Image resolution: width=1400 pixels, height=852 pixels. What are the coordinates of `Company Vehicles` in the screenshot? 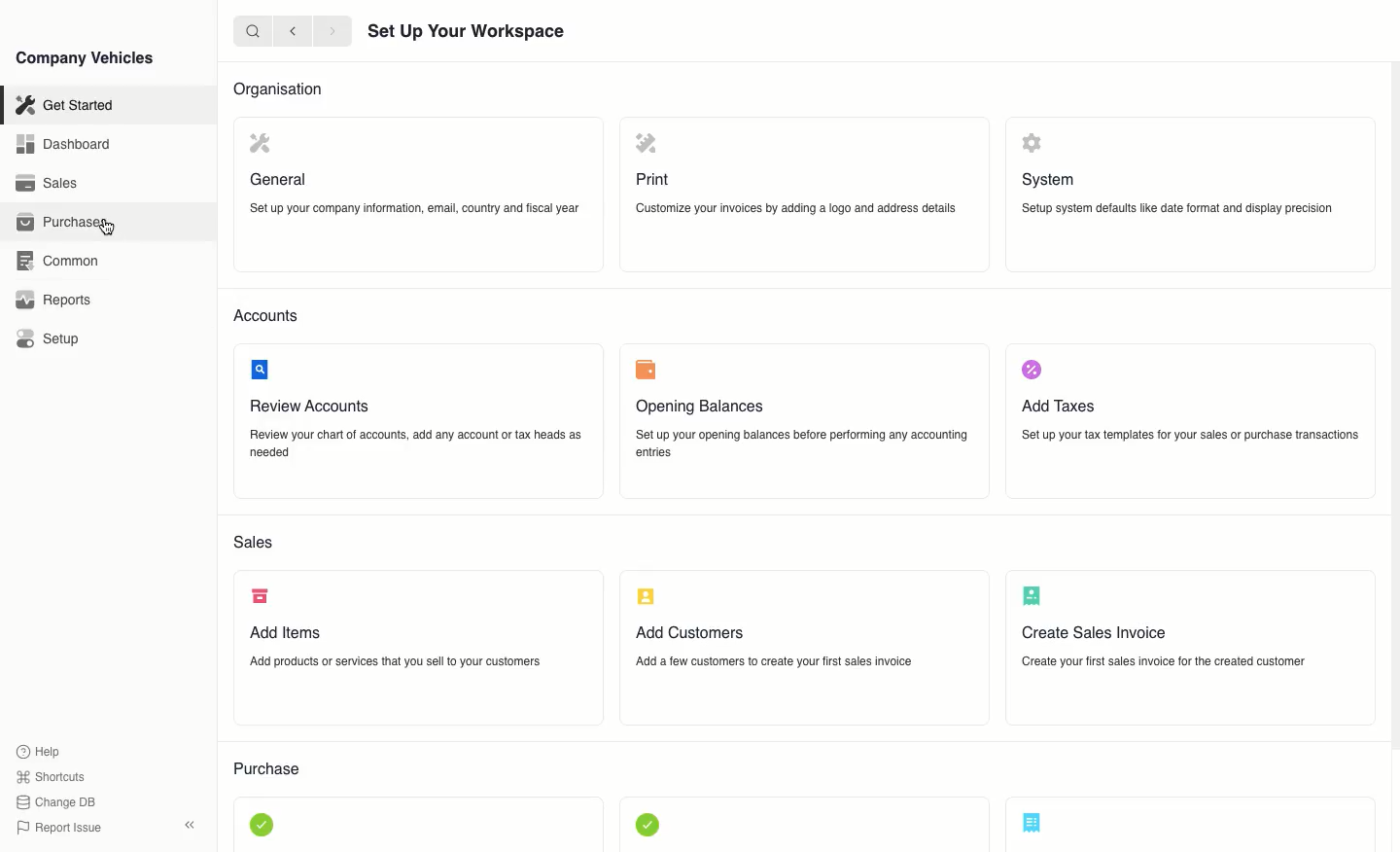 It's located at (85, 59).